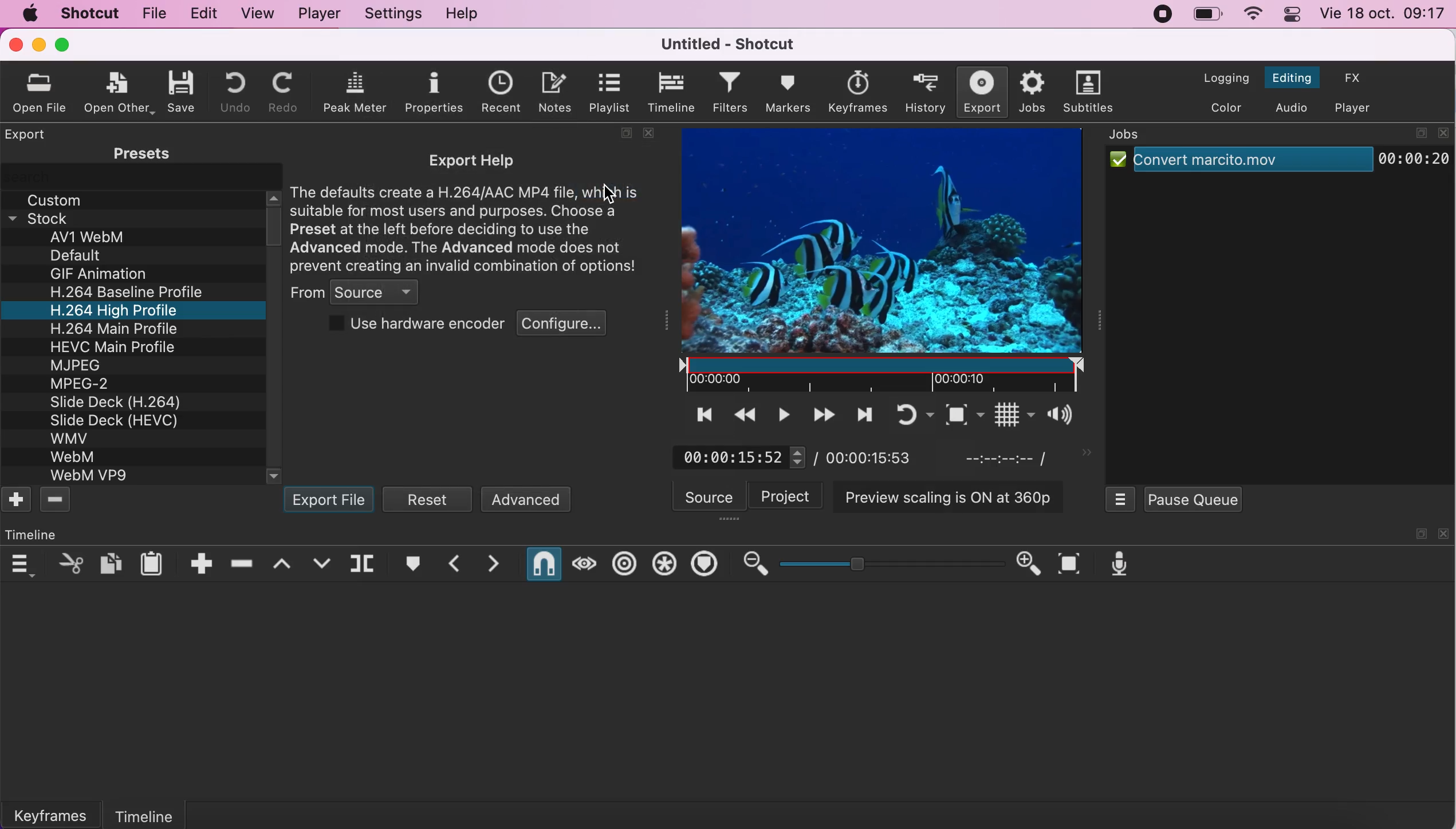  Describe the element at coordinates (902, 414) in the screenshot. I see `toggle player looping` at that location.